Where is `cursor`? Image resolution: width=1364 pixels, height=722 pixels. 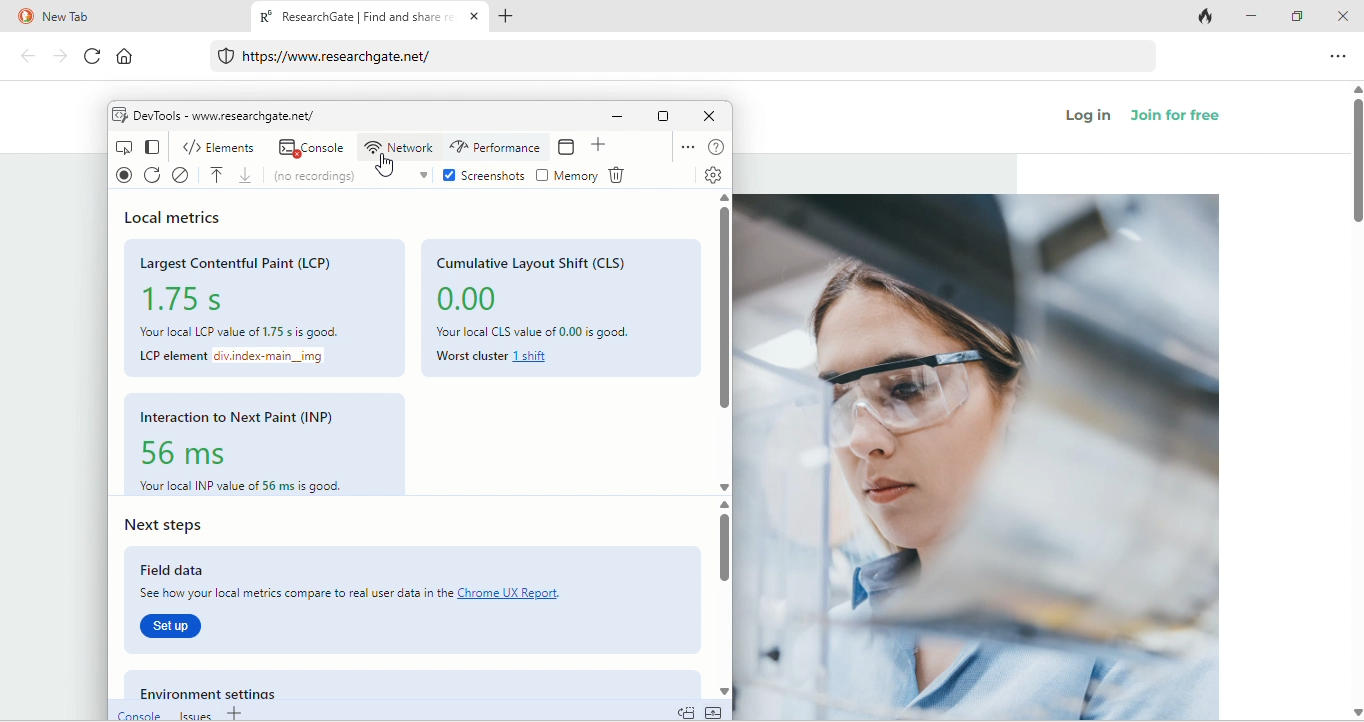
cursor is located at coordinates (388, 164).